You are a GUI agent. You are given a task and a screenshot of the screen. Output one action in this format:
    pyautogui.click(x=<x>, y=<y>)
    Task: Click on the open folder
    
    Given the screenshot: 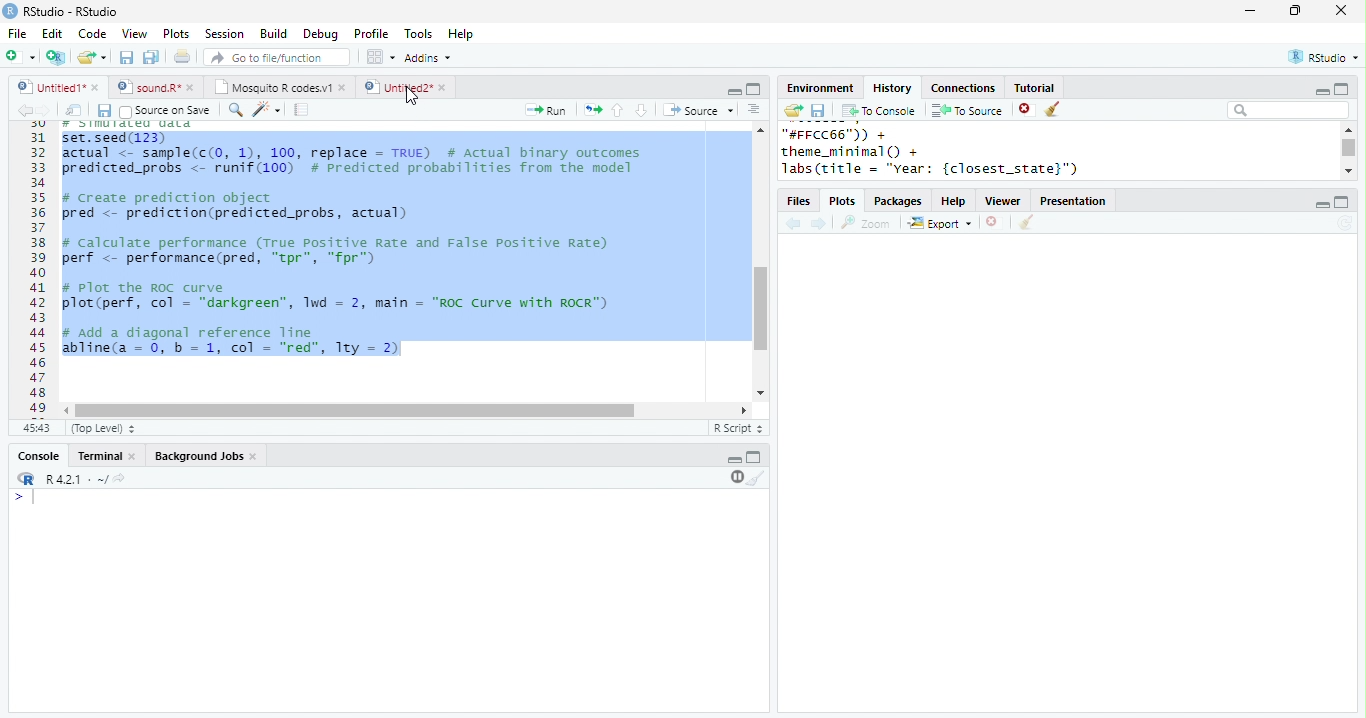 What is the action you would take?
    pyautogui.click(x=792, y=110)
    